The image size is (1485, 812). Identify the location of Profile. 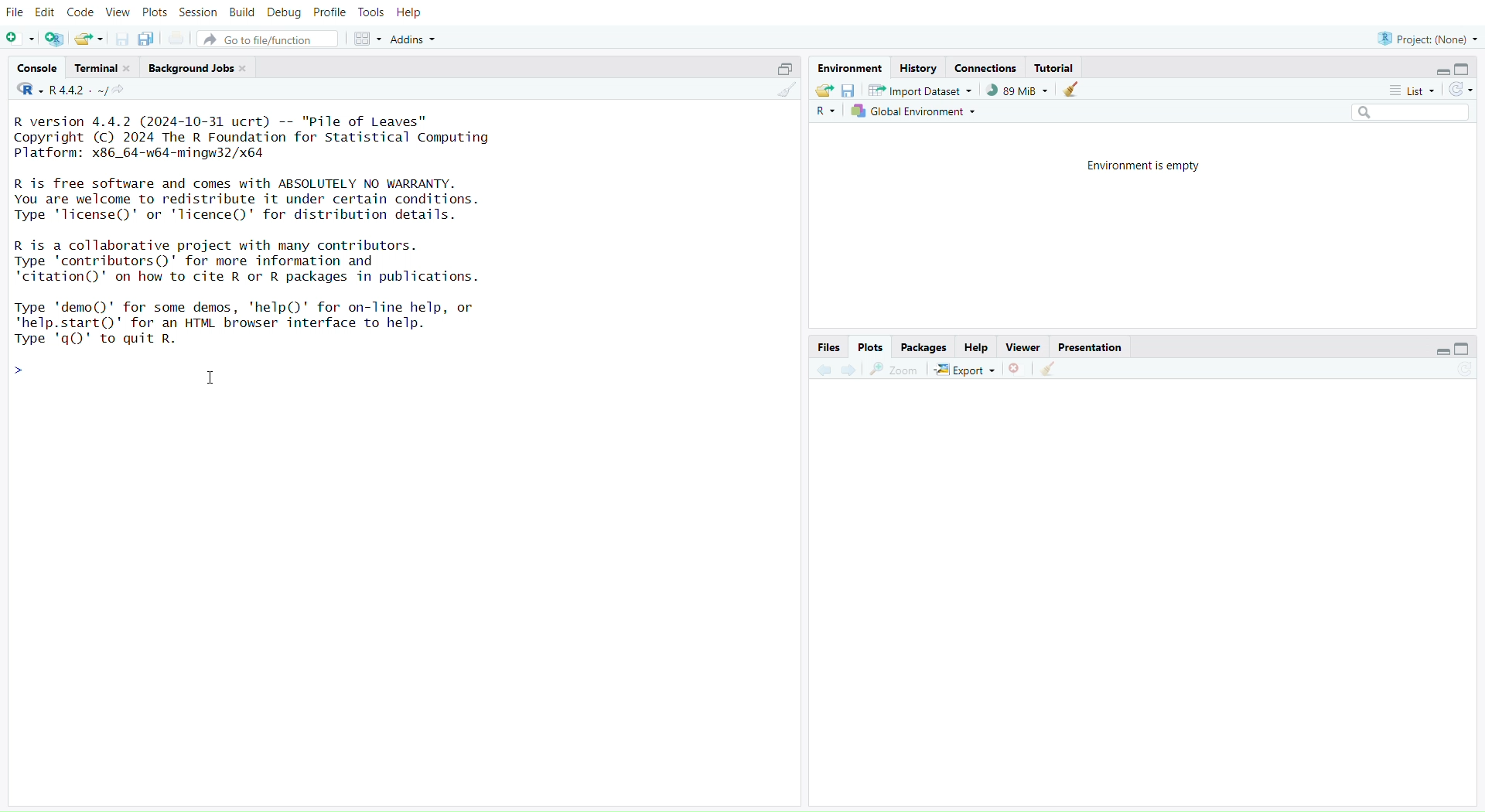
(329, 13).